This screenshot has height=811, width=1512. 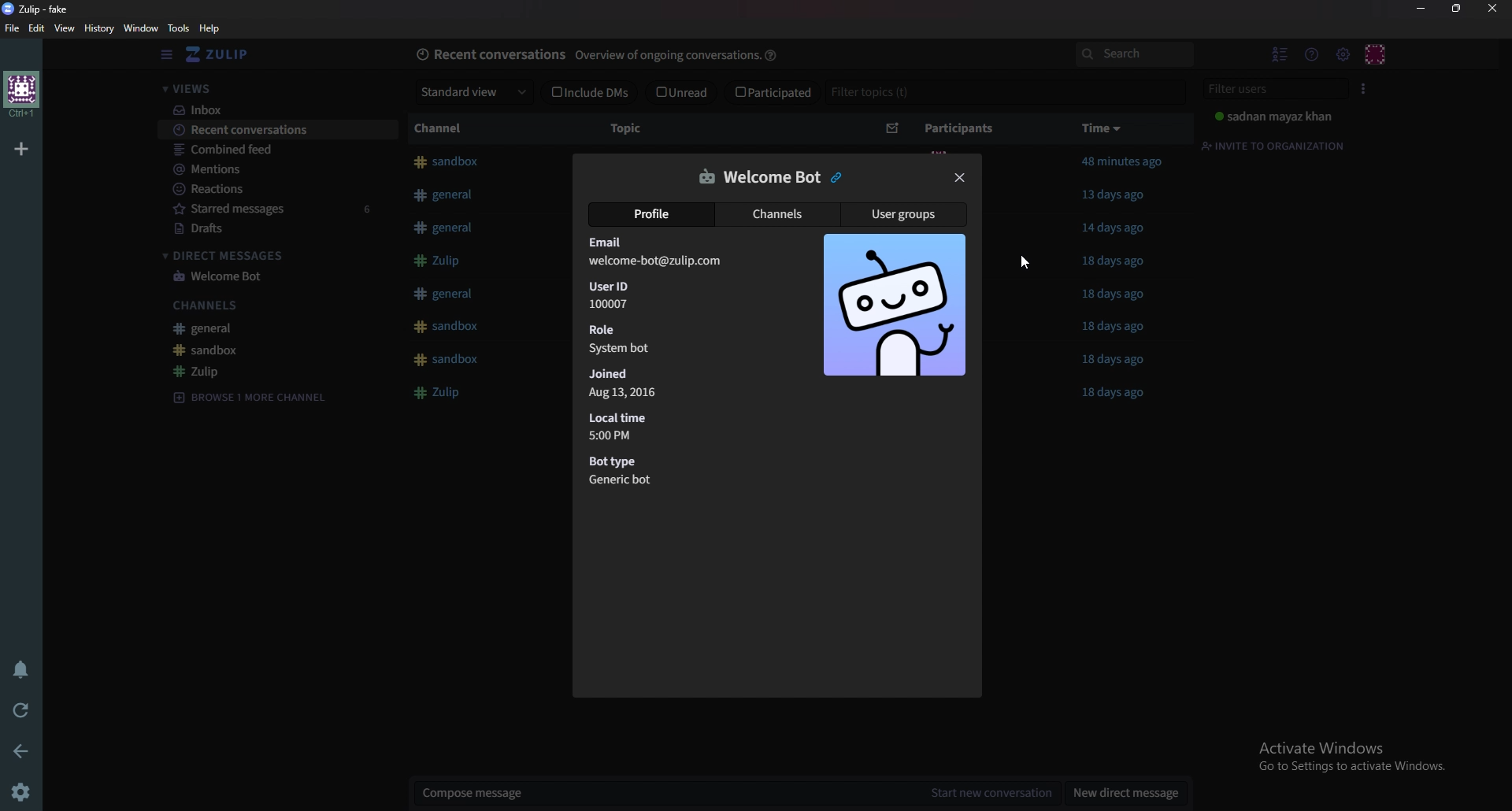 I want to click on #sandbox, so click(x=447, y=324).